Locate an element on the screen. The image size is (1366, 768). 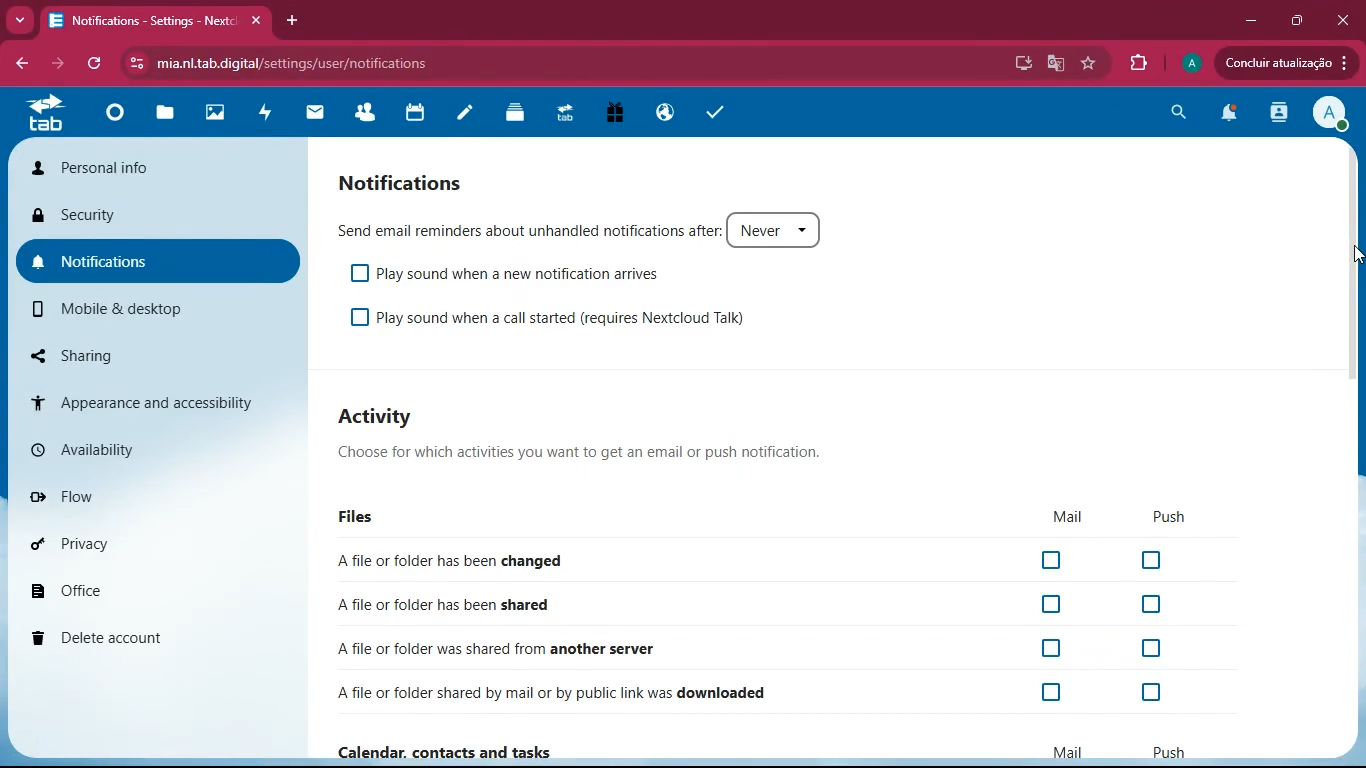
forward is located at coordinates (55, 62).